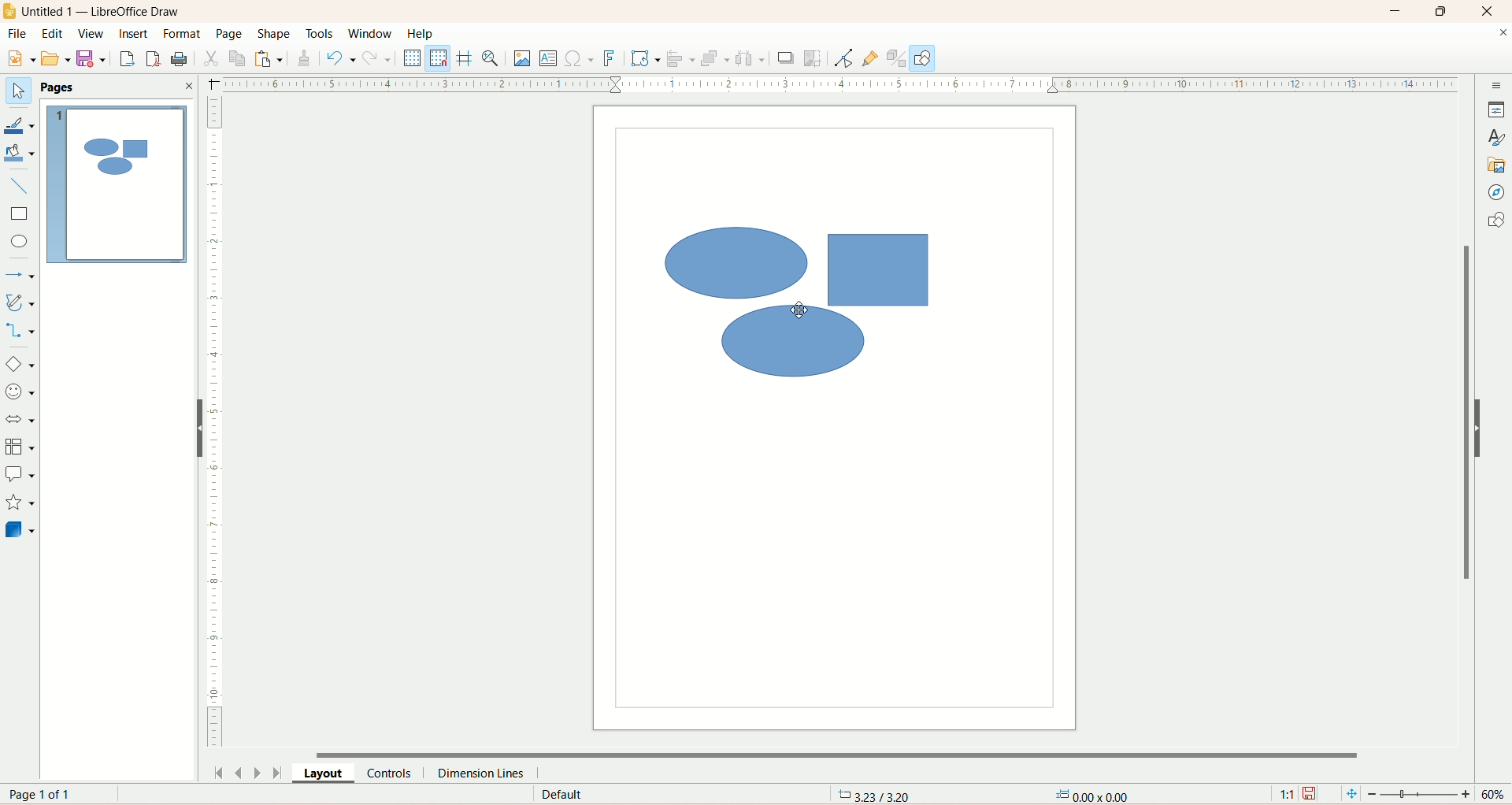  I want to click on lines and arrows, so click(23, 276).